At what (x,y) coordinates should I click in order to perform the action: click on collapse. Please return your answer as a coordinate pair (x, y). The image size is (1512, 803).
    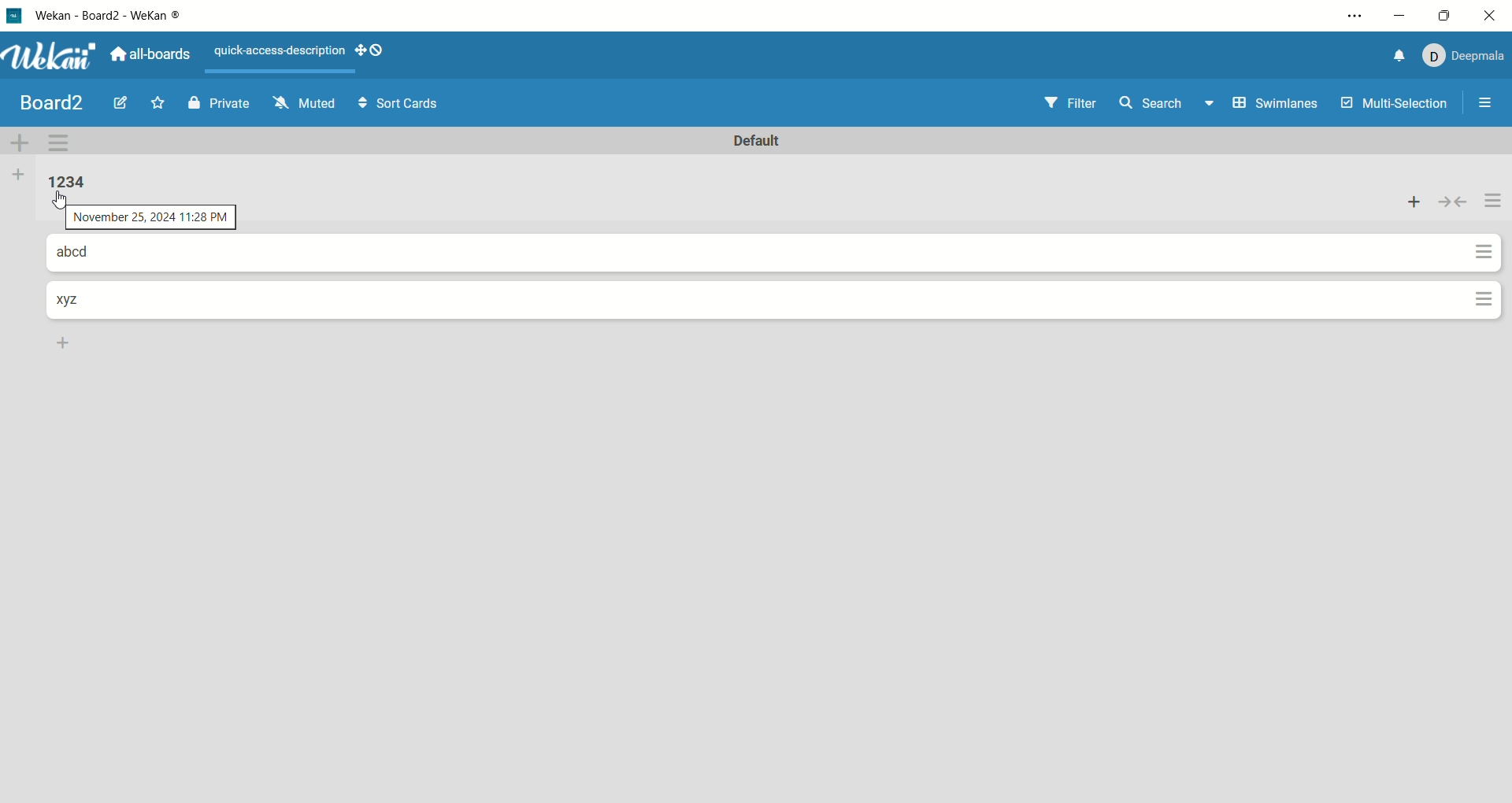
    Looking at the image, I should click on (1453, 201).